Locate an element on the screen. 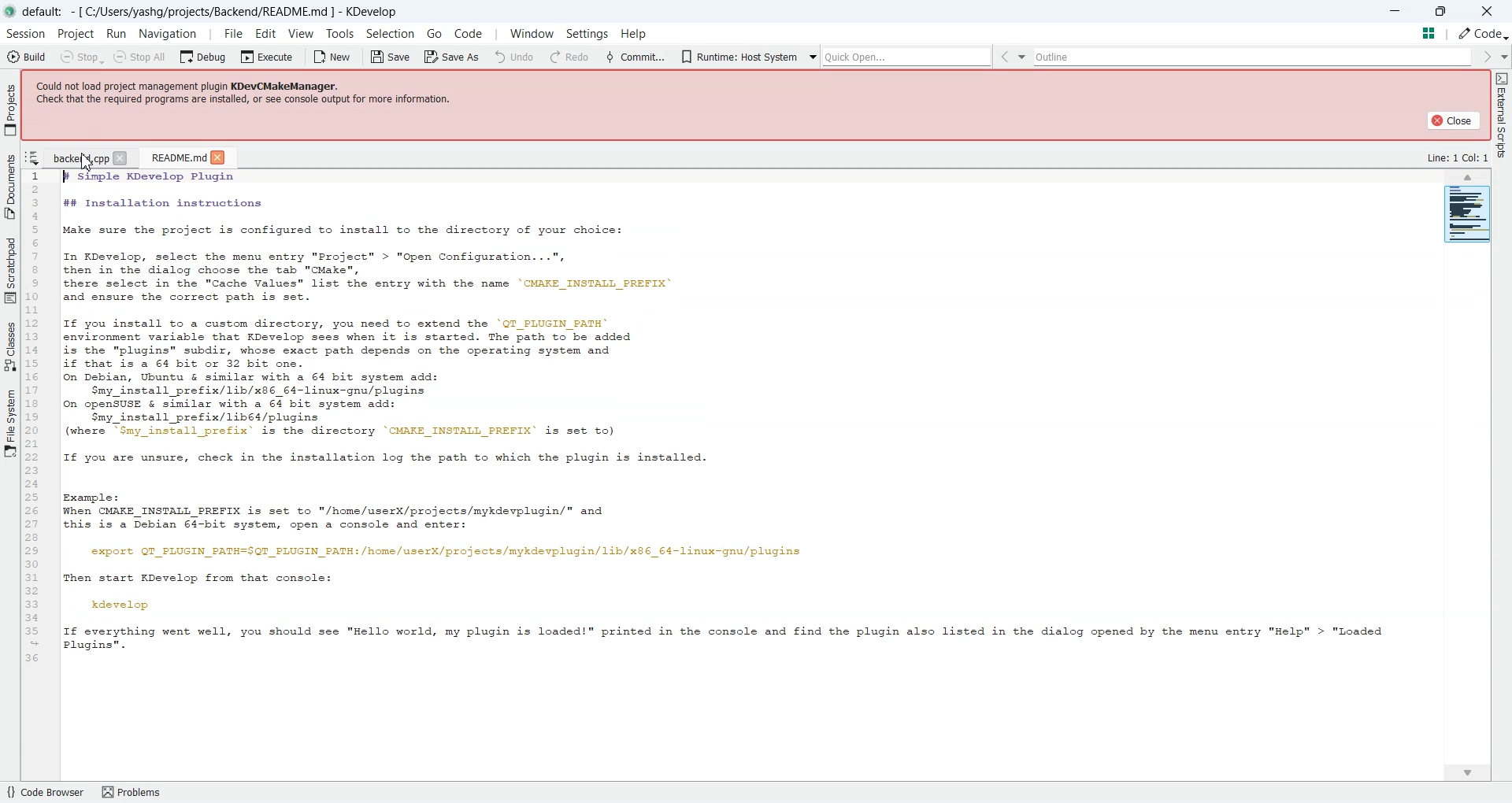  Text is located at coordinates (1458, 157).